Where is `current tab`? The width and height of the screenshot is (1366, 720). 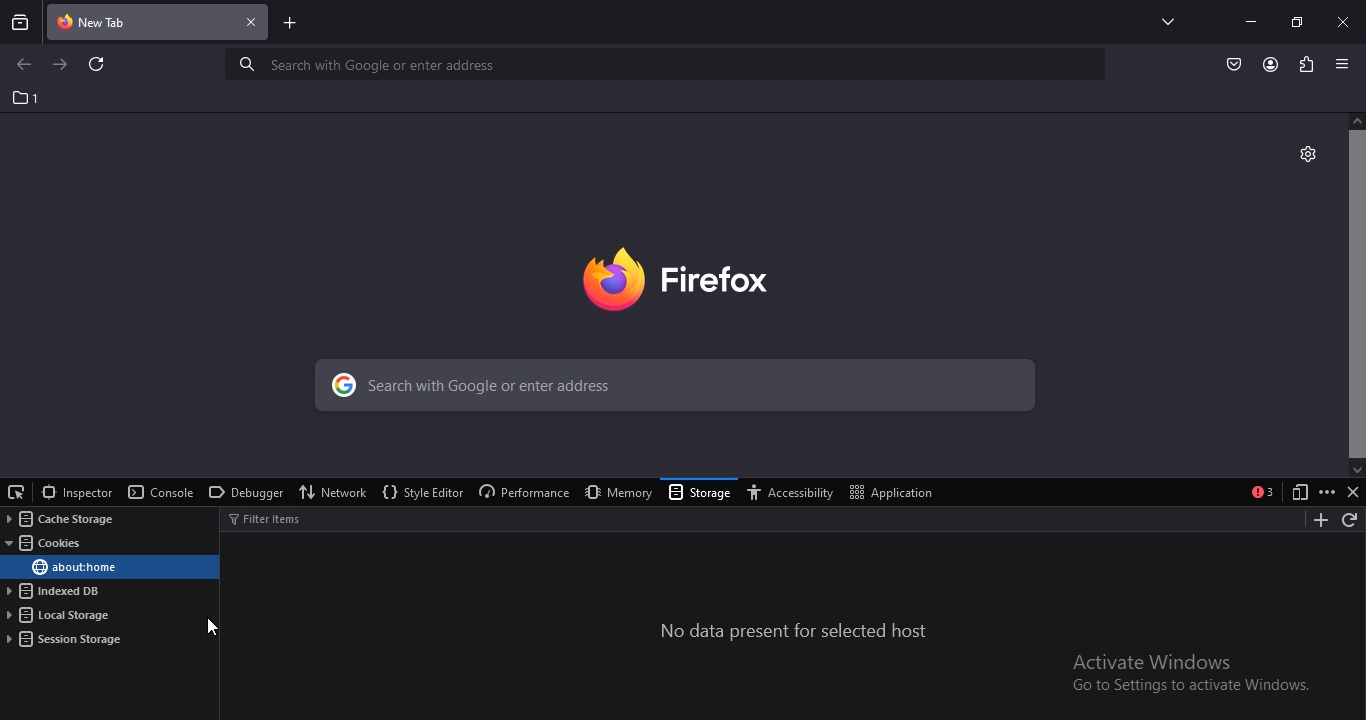
current tab is located at coordinates (159, 24).